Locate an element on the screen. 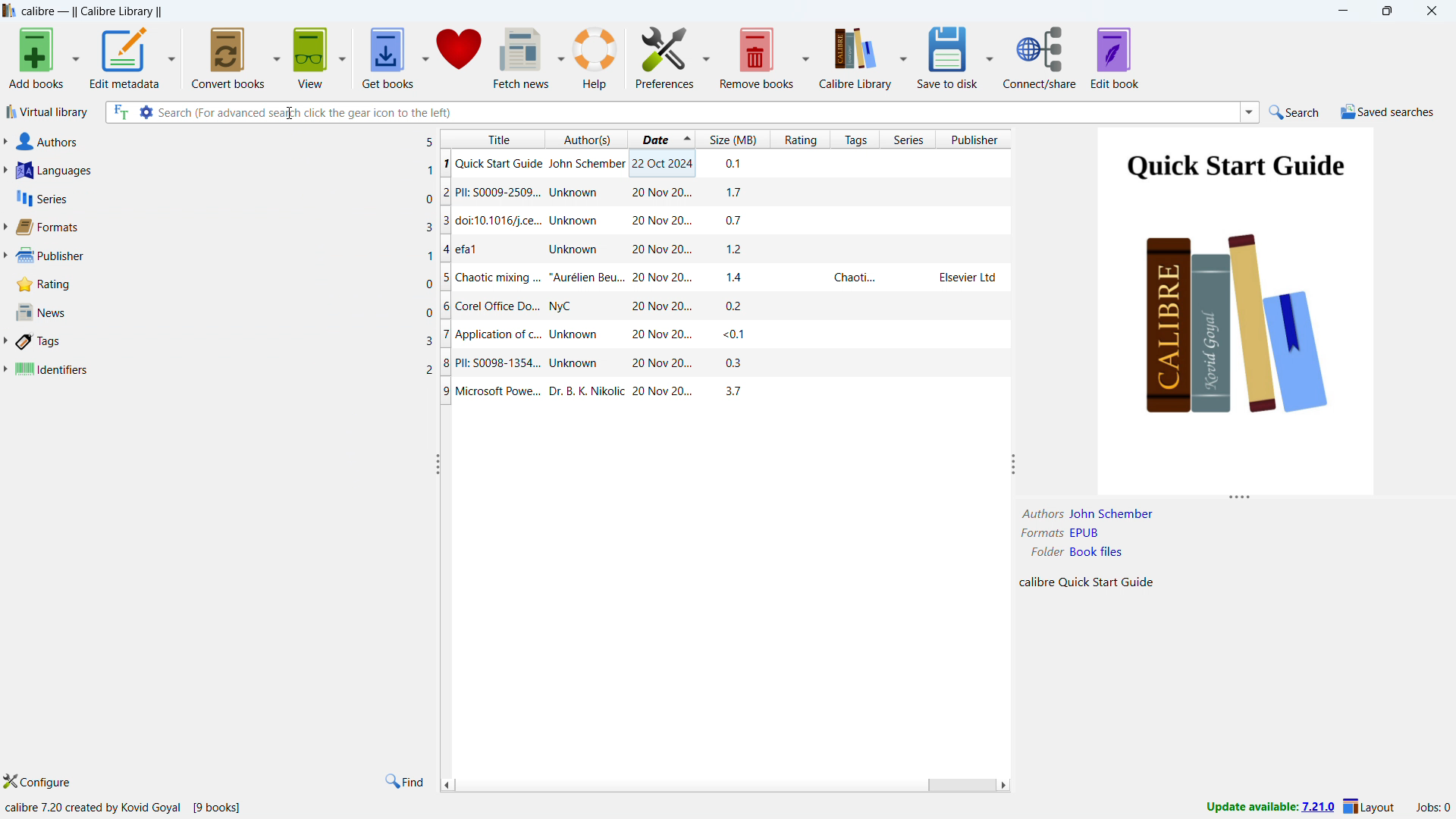  convert books is located at coordinates (229, 56).